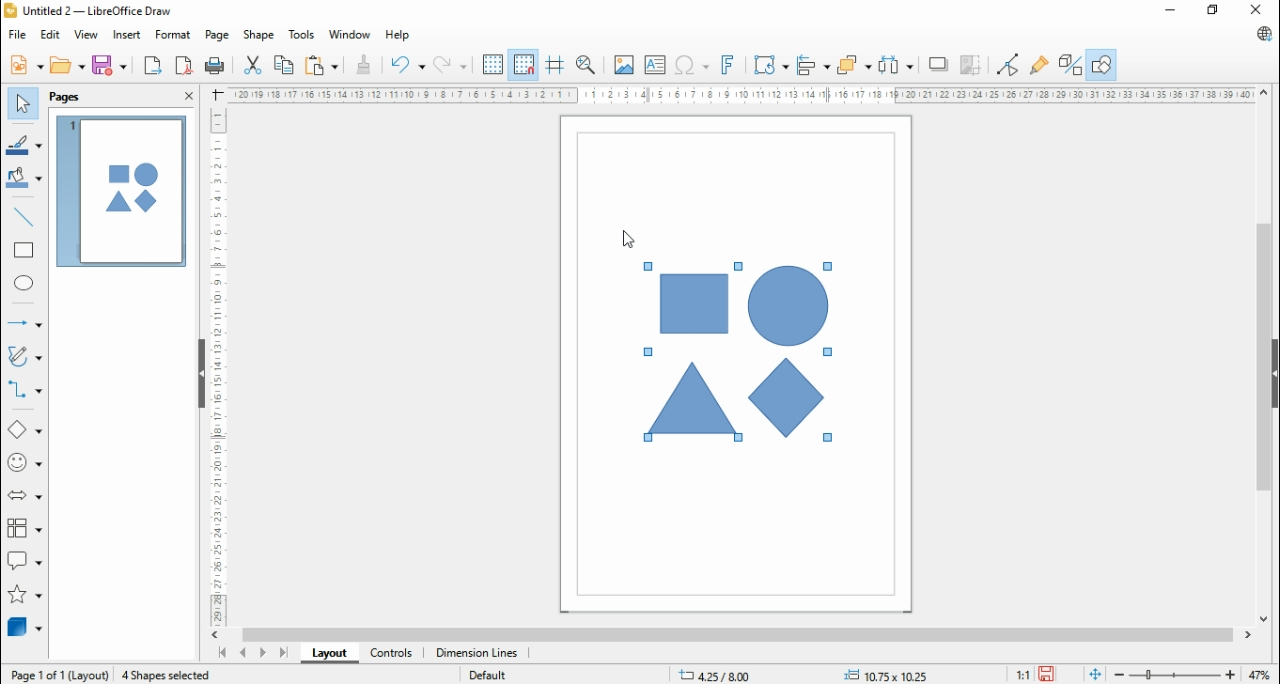  Describe the element at coordinates (1174, 674) in the screenshot. I see `zoom in/zoom out slider` at that location.